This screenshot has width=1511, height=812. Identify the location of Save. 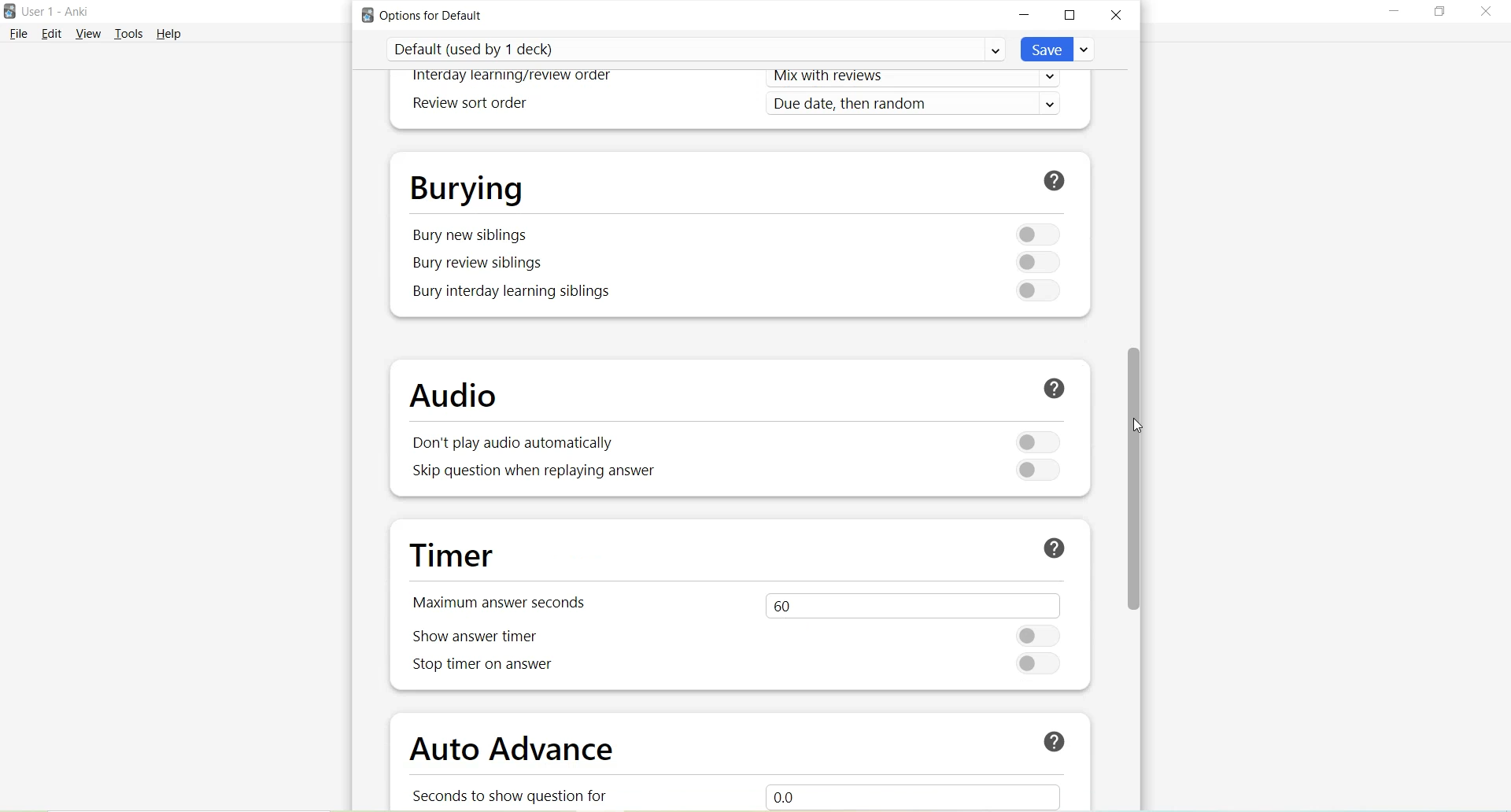
(1058, 49).